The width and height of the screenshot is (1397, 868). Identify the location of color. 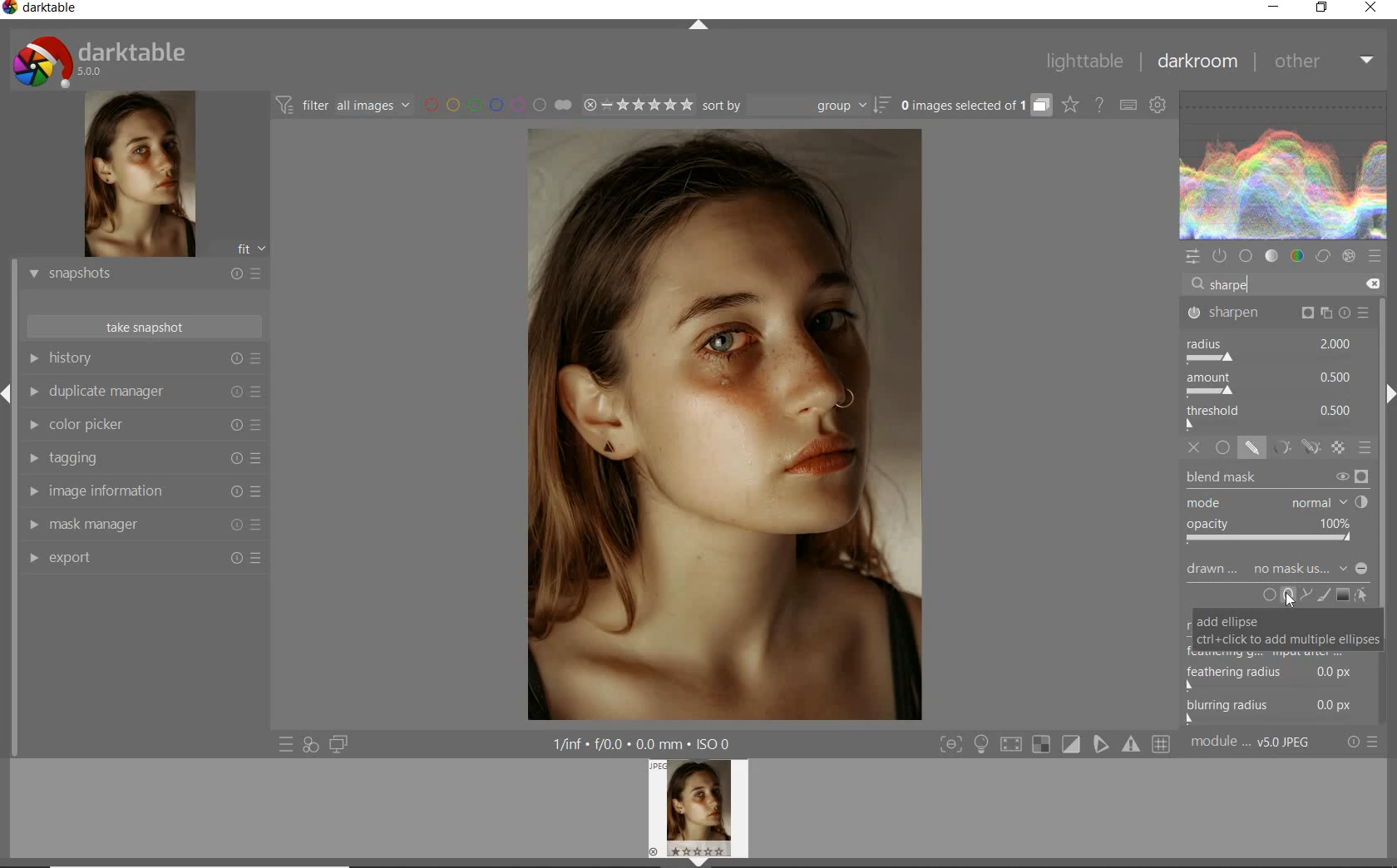
(1298, 258).